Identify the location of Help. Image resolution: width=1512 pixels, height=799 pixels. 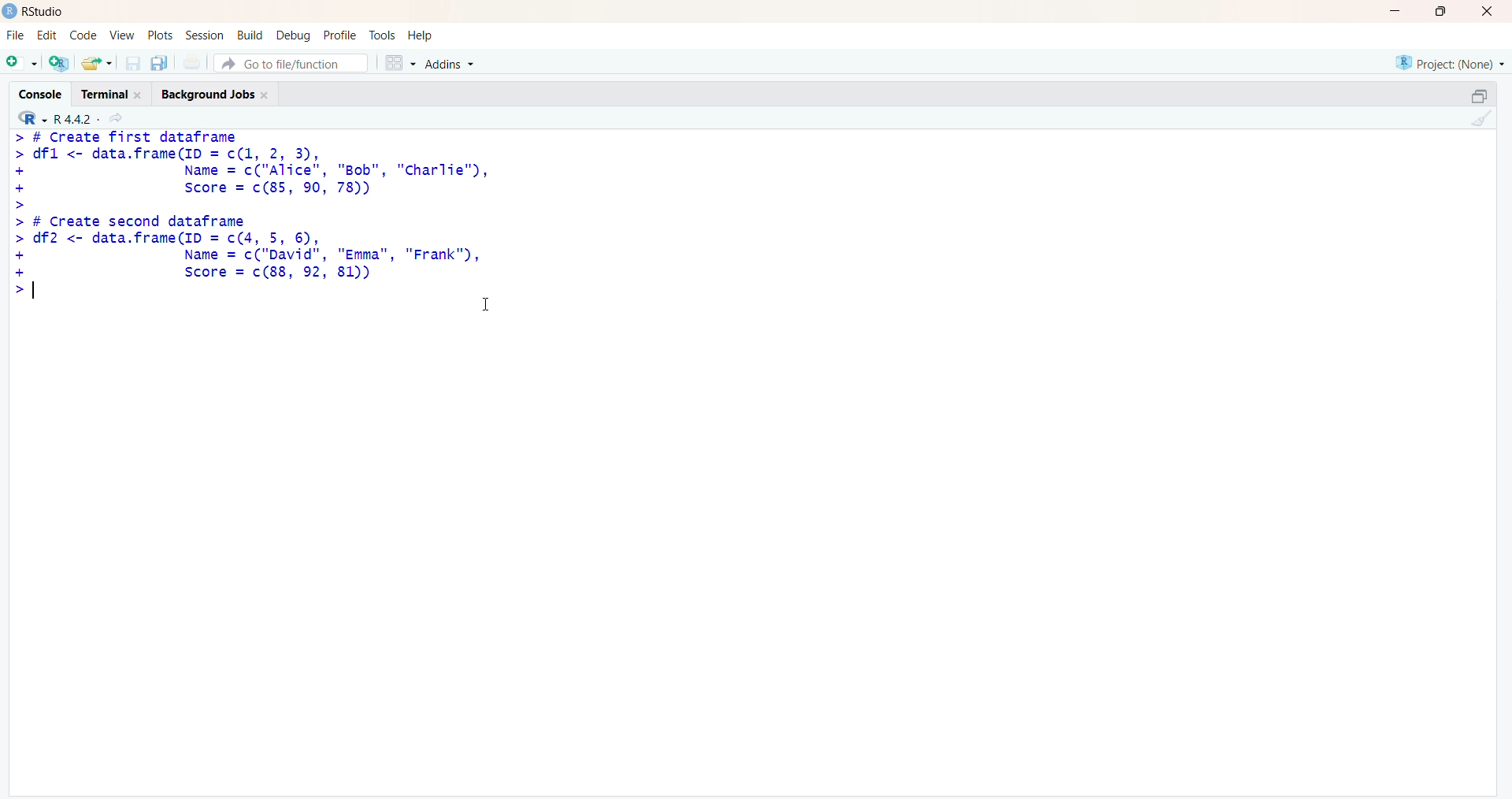
(421, 35).